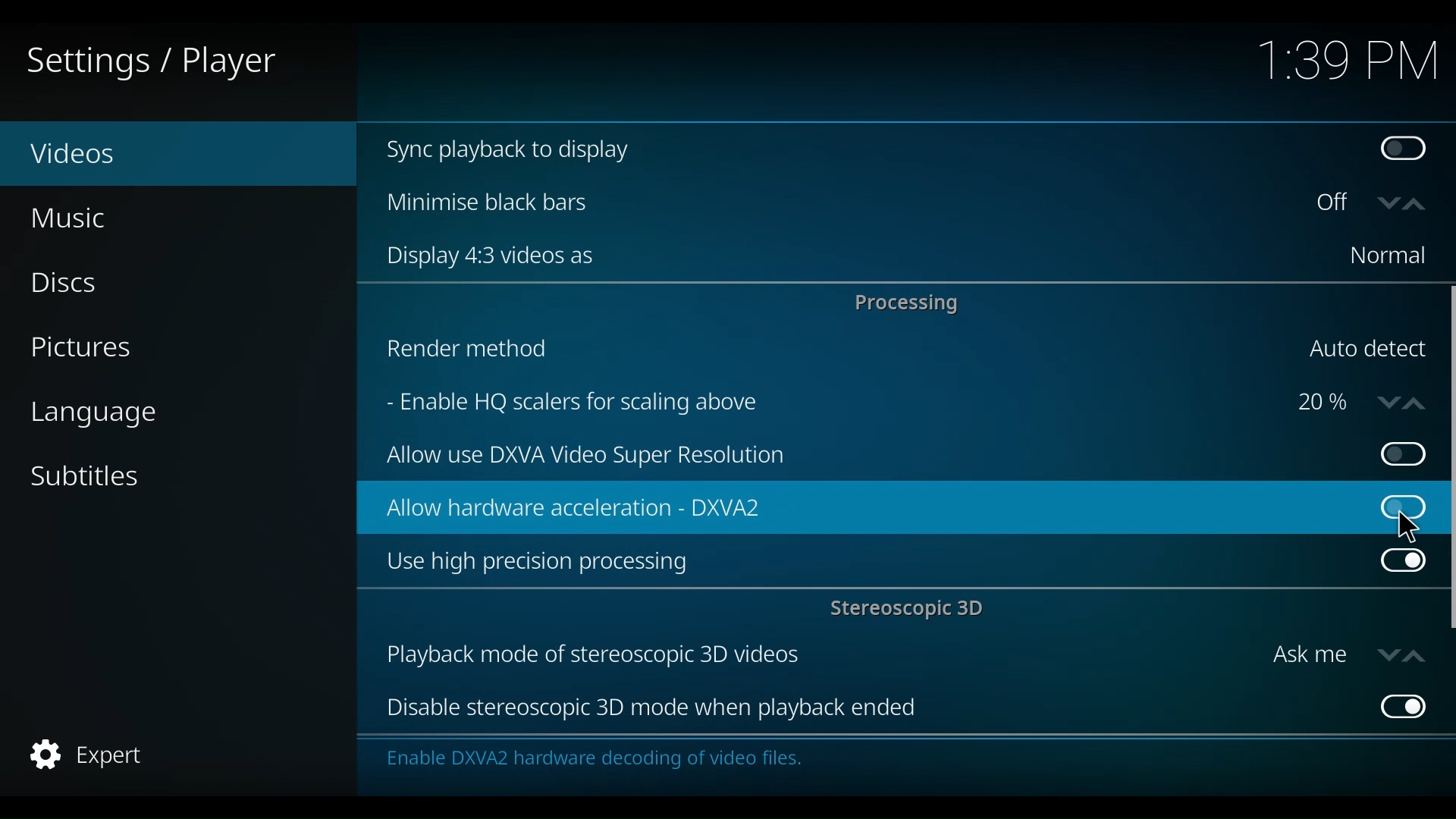 The width and height of the screenshot is (1456, 819). Describe the element at coordinates (872, 563) in the screenshot. I see `Use high precision proessing` at that location.